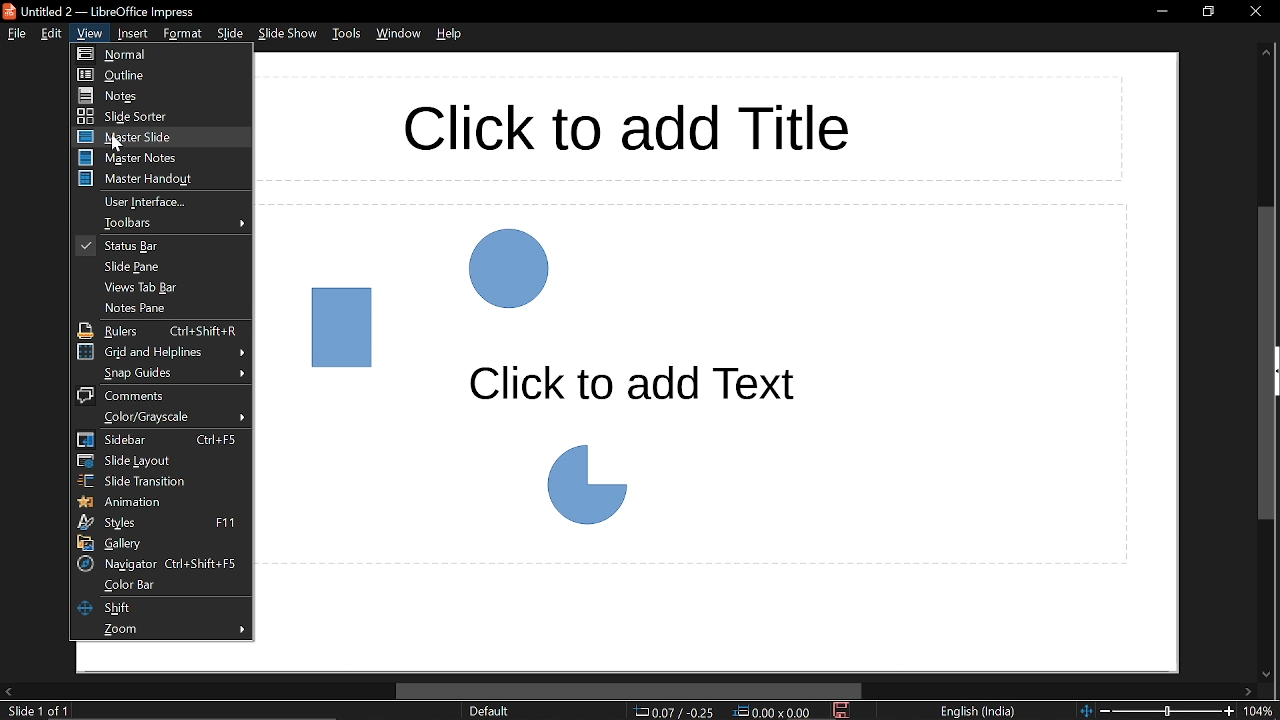 Image resolution: width=1280 pixels, height=720 pixels. What do you see at coordinates (156, 180) in the screenshot?
I see `Moaster handout` at bounding box center [156, 180].